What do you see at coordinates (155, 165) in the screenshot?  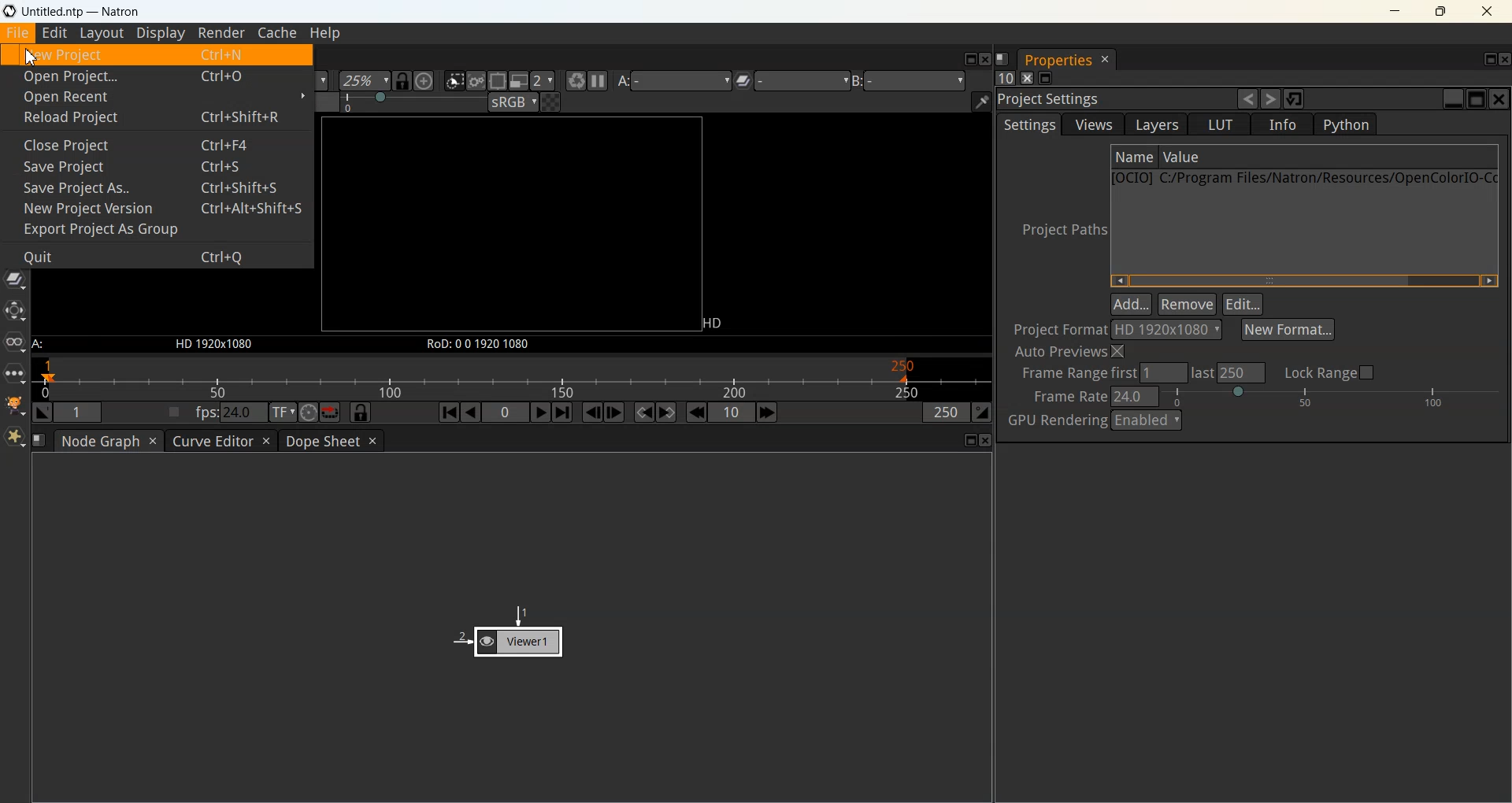 I see `Save project` at bounding box center [155, 165].